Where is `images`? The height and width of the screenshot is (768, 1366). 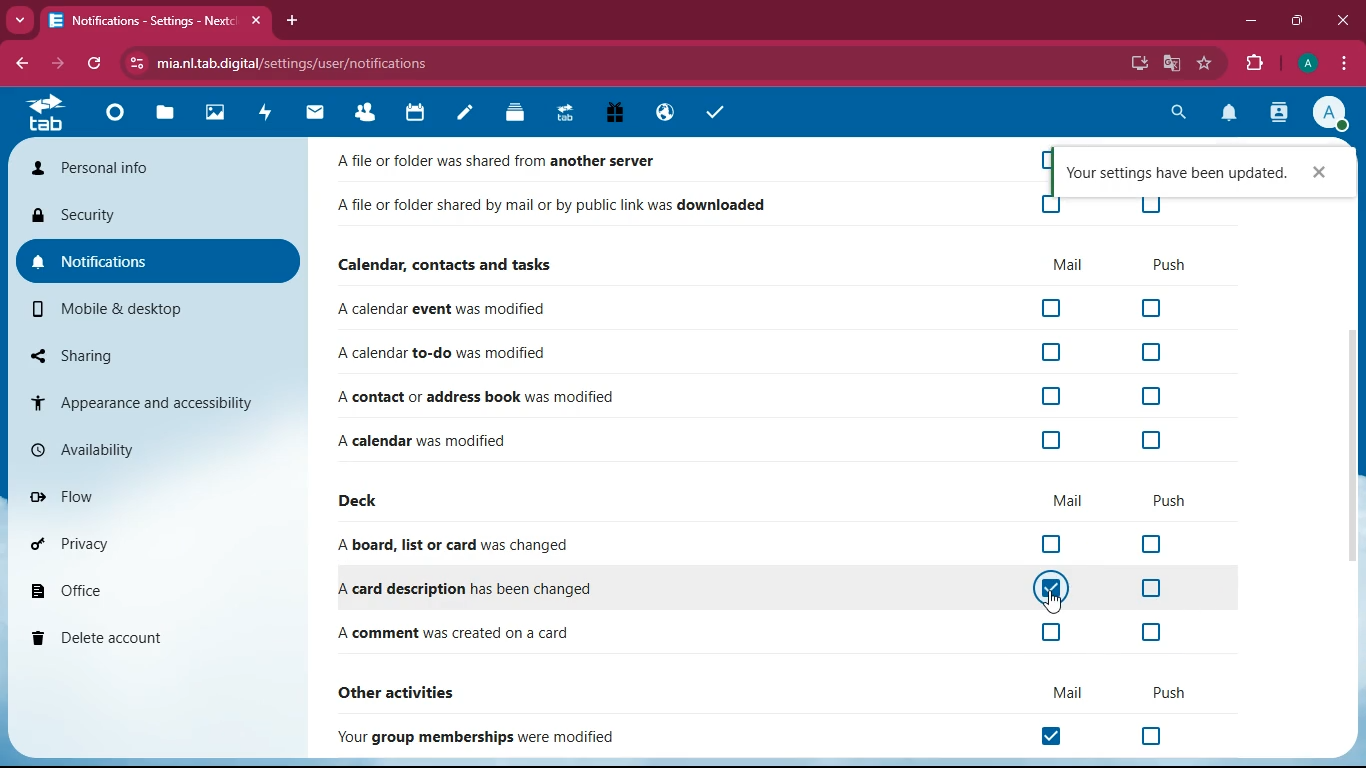 images is located at coordinates (213, 114).